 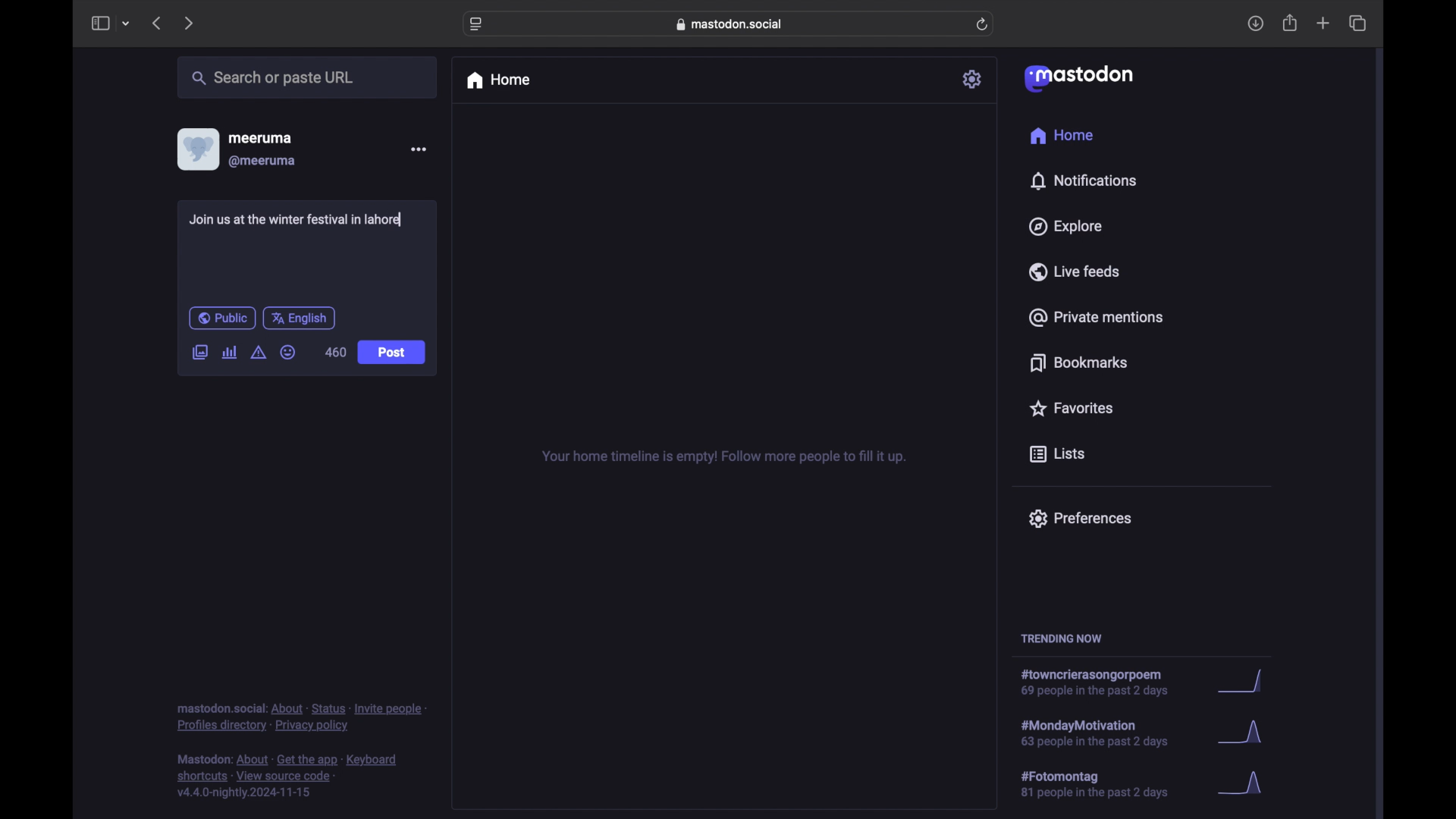 What do you see at coordinates (393, 353) in the screenshot?
I see `Post` at bounding box center [393, 353].